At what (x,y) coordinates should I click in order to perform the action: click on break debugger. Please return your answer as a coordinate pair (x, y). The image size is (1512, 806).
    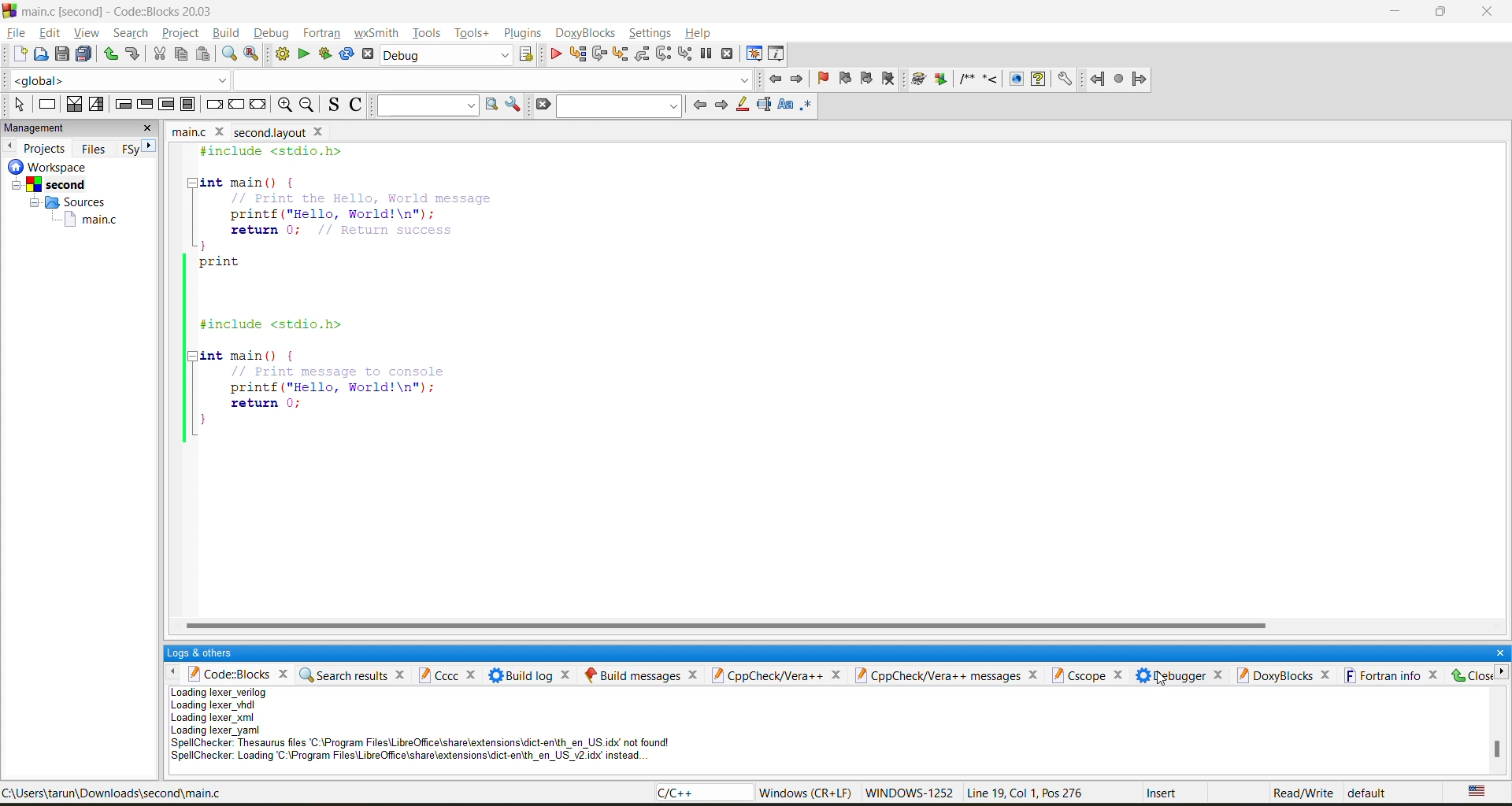
    Looking at the image, I should click on (709, 54).